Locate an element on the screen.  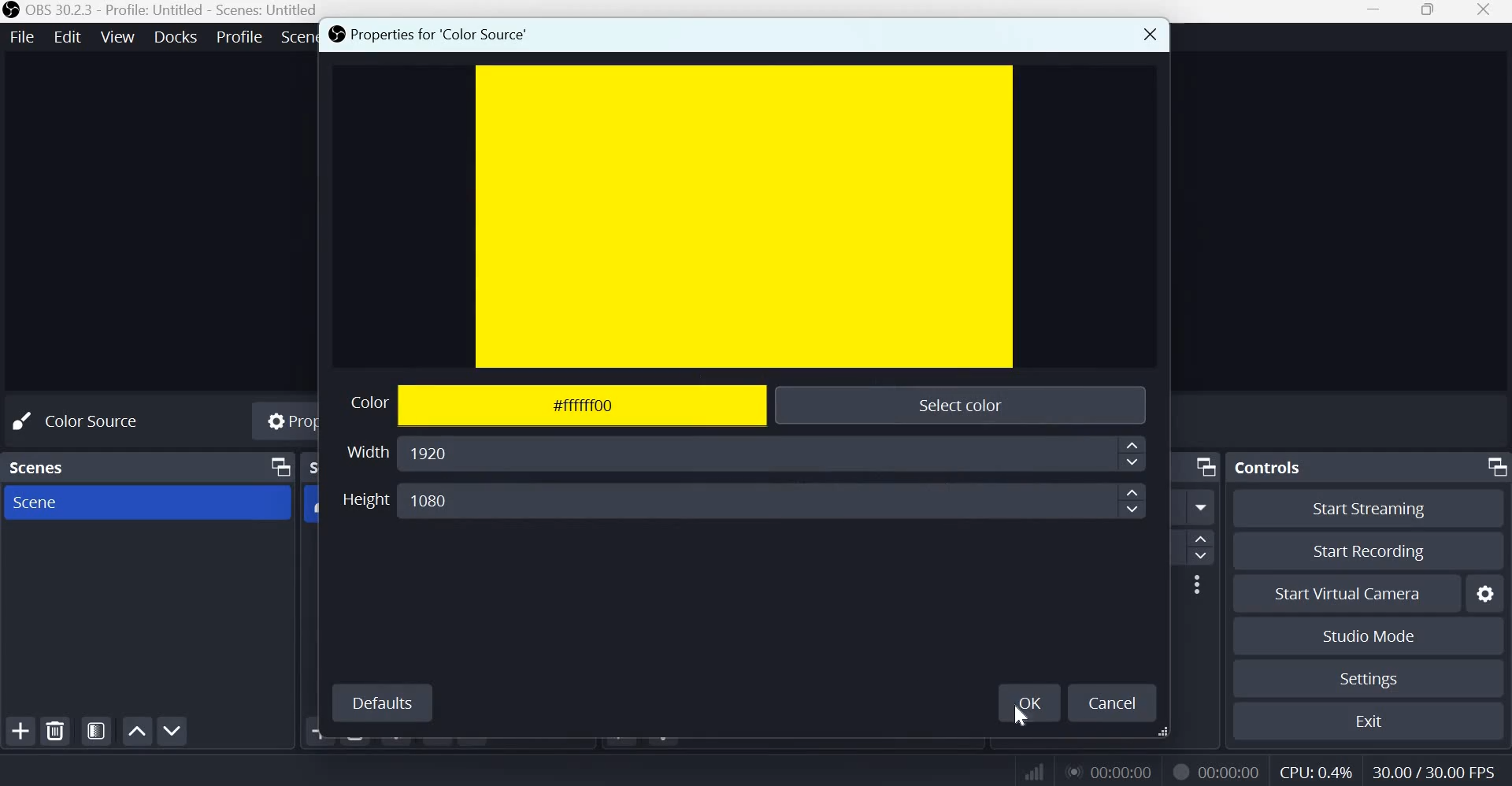
Minimize is located at coordinates (1373, 13).